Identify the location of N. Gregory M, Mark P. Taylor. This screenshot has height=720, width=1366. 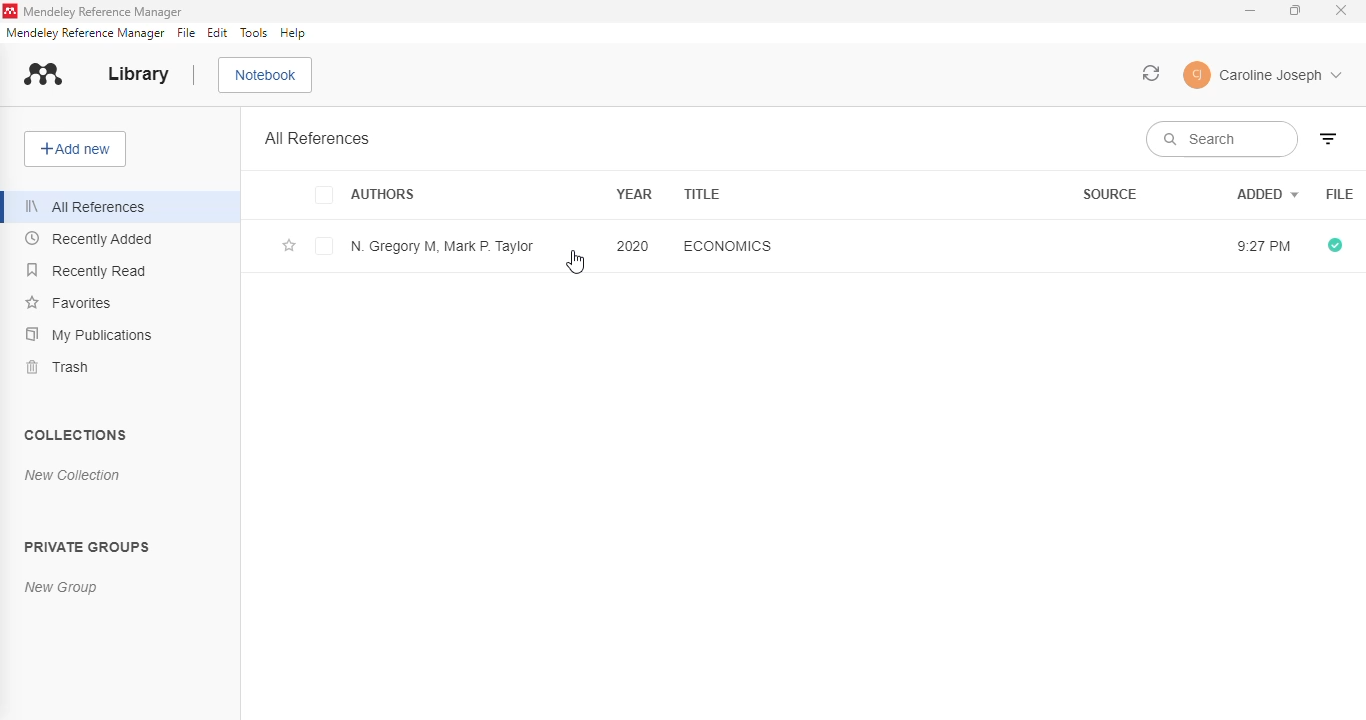
(441, 246).